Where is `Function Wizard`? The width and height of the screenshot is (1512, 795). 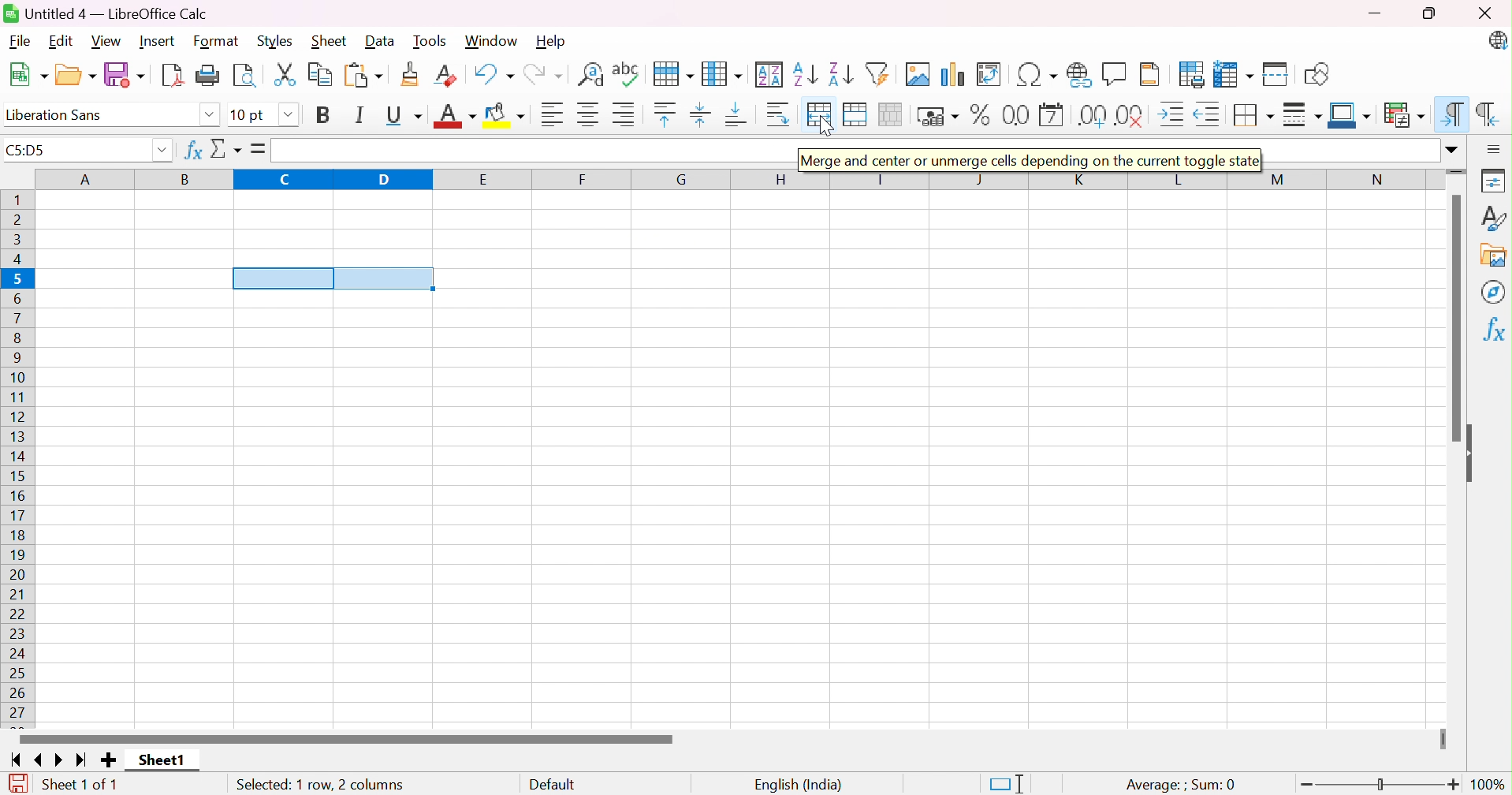 Function Wizard is located at coordinates (191, 151).